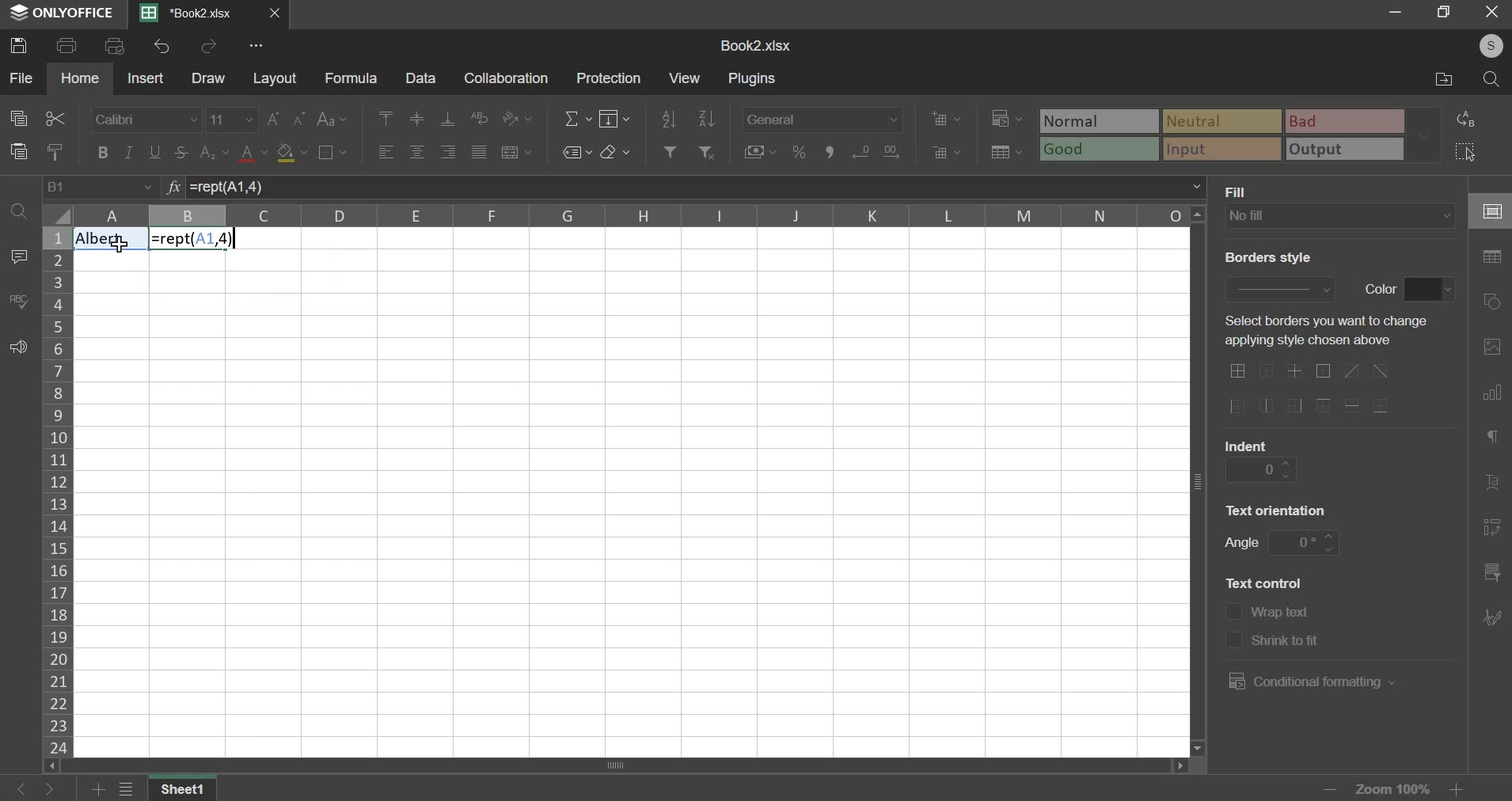 This screenshot has height=801, width=1512. I want to click on border style, so click(1286, 290).